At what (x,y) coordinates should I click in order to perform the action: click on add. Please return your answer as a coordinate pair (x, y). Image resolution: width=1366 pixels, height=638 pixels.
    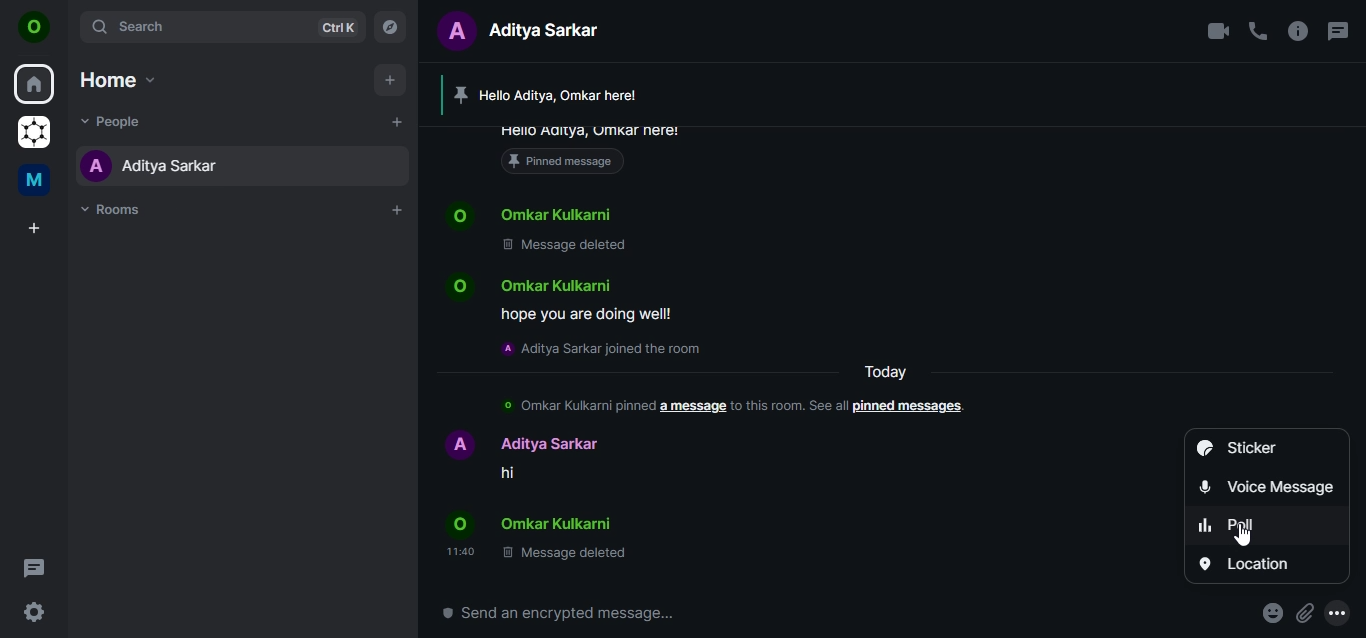
    Looking at the image, I should click on (396, 121).